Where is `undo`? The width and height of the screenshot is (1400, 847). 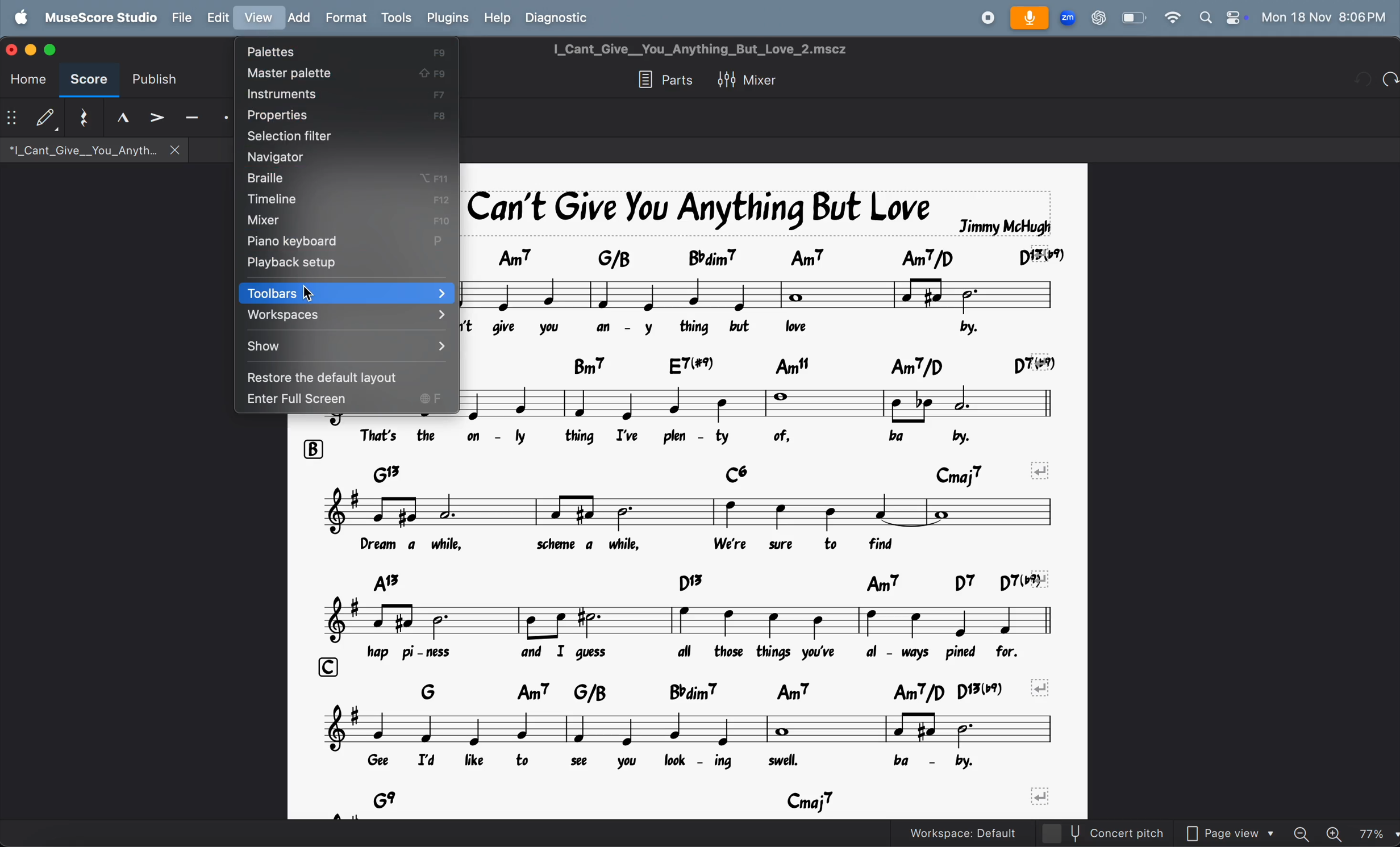
undo is located at coordinates (1390, 81).